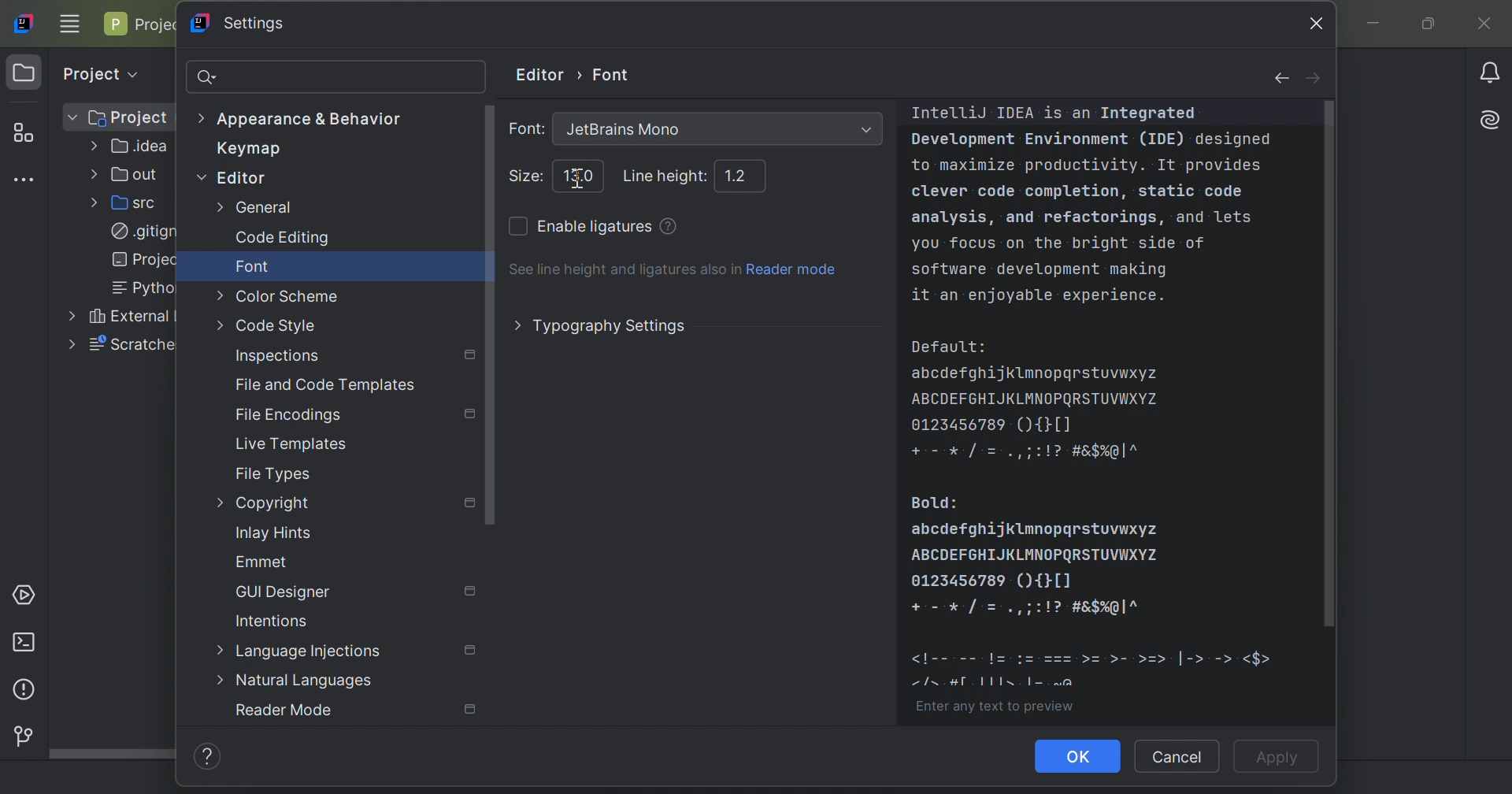 The width and height of the screenshot is (1512, 794). Describe the element at coordinates (272, 620) in the screenshot. I see `Intentions` at that location.